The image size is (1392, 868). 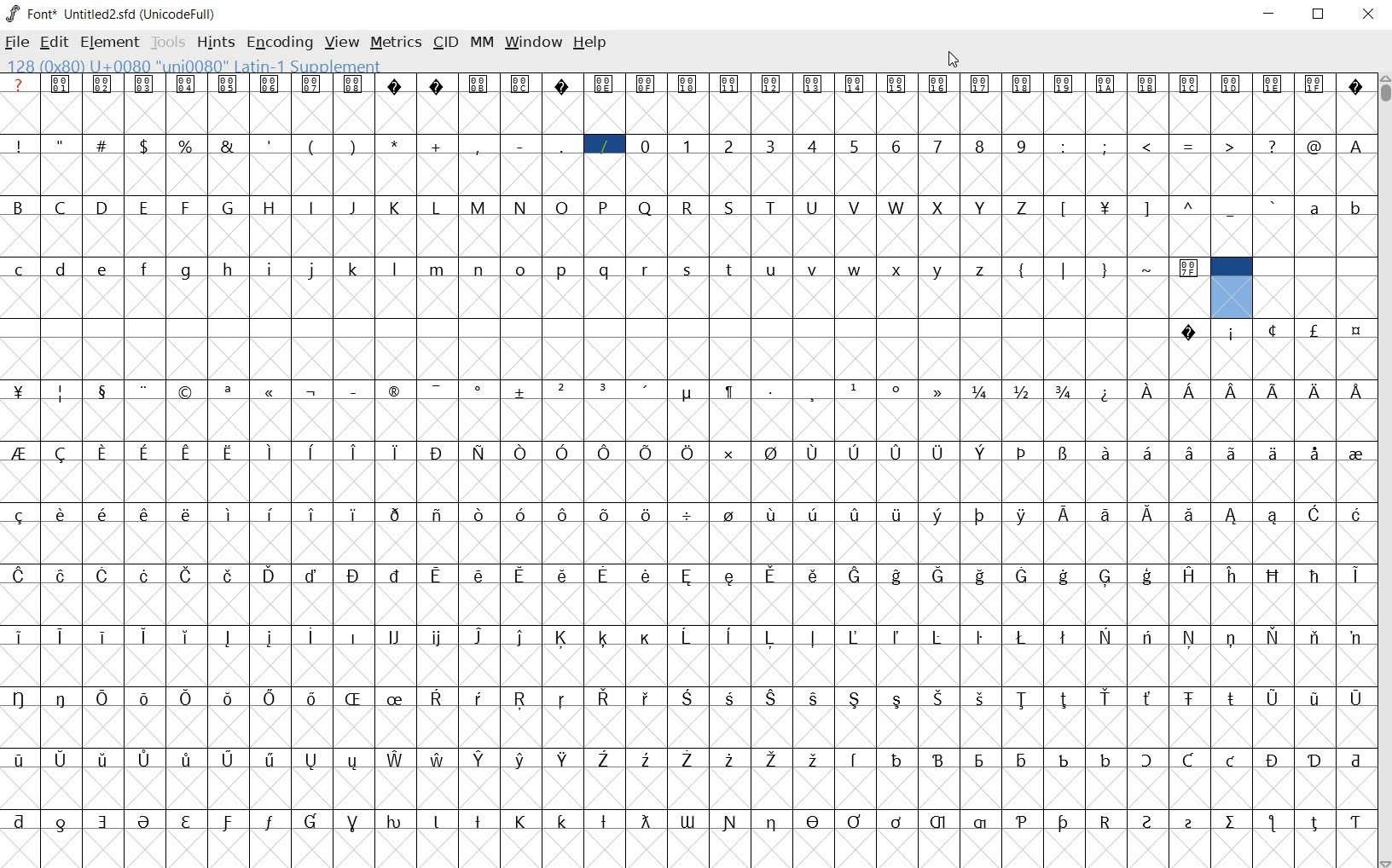 What do you see at coordinates (899, 820) in the screenshot?
I see `Symbol` at bounding box center [899, 820].